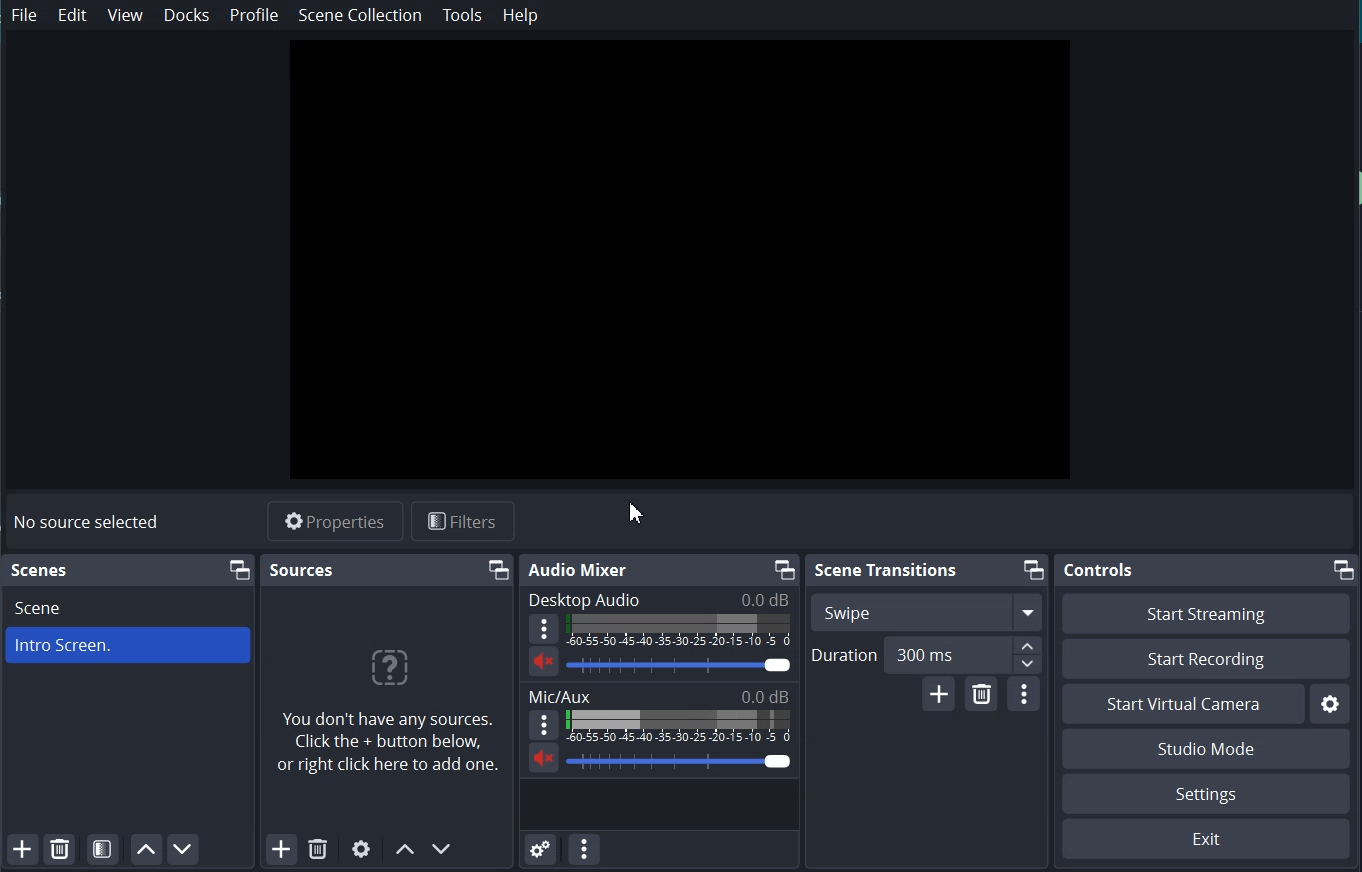 Image resolution: width=1362 pixels, height=872 pixels. What do you see at coordinates (938, 693) in the screenshot?
I see `Add configurable Transition` at bounding box center [938, 693].